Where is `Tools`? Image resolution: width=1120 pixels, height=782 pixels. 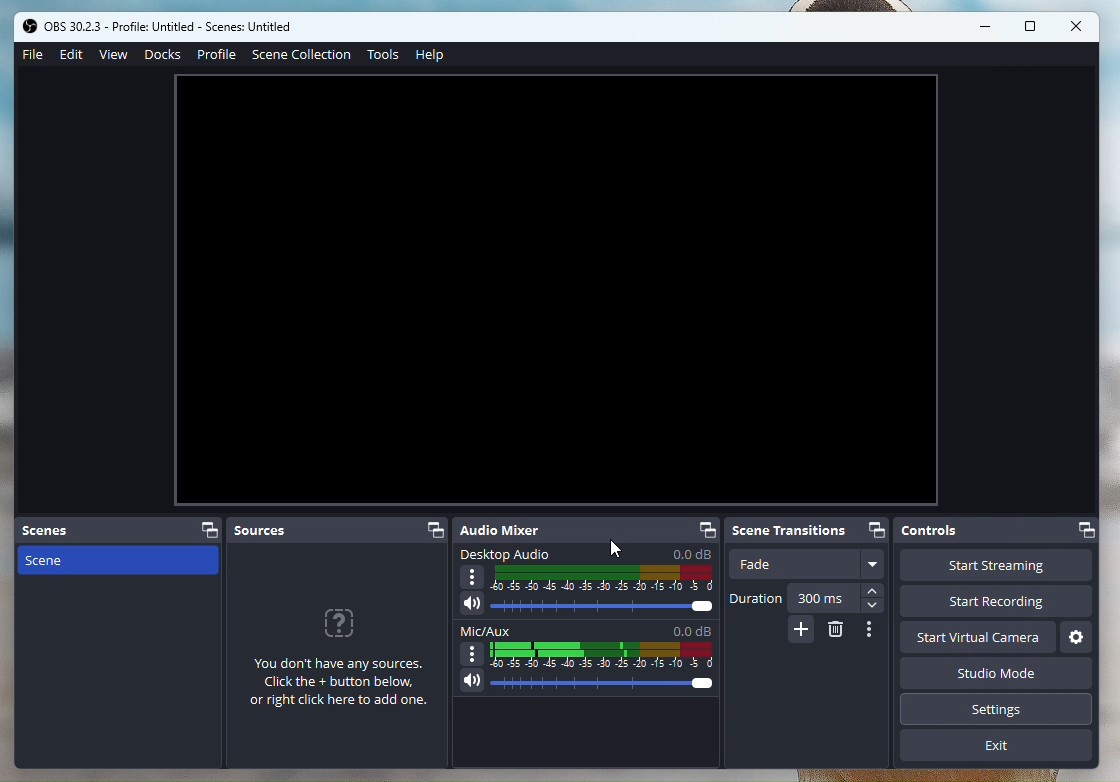 Tools is located at coordinates (386, 56).